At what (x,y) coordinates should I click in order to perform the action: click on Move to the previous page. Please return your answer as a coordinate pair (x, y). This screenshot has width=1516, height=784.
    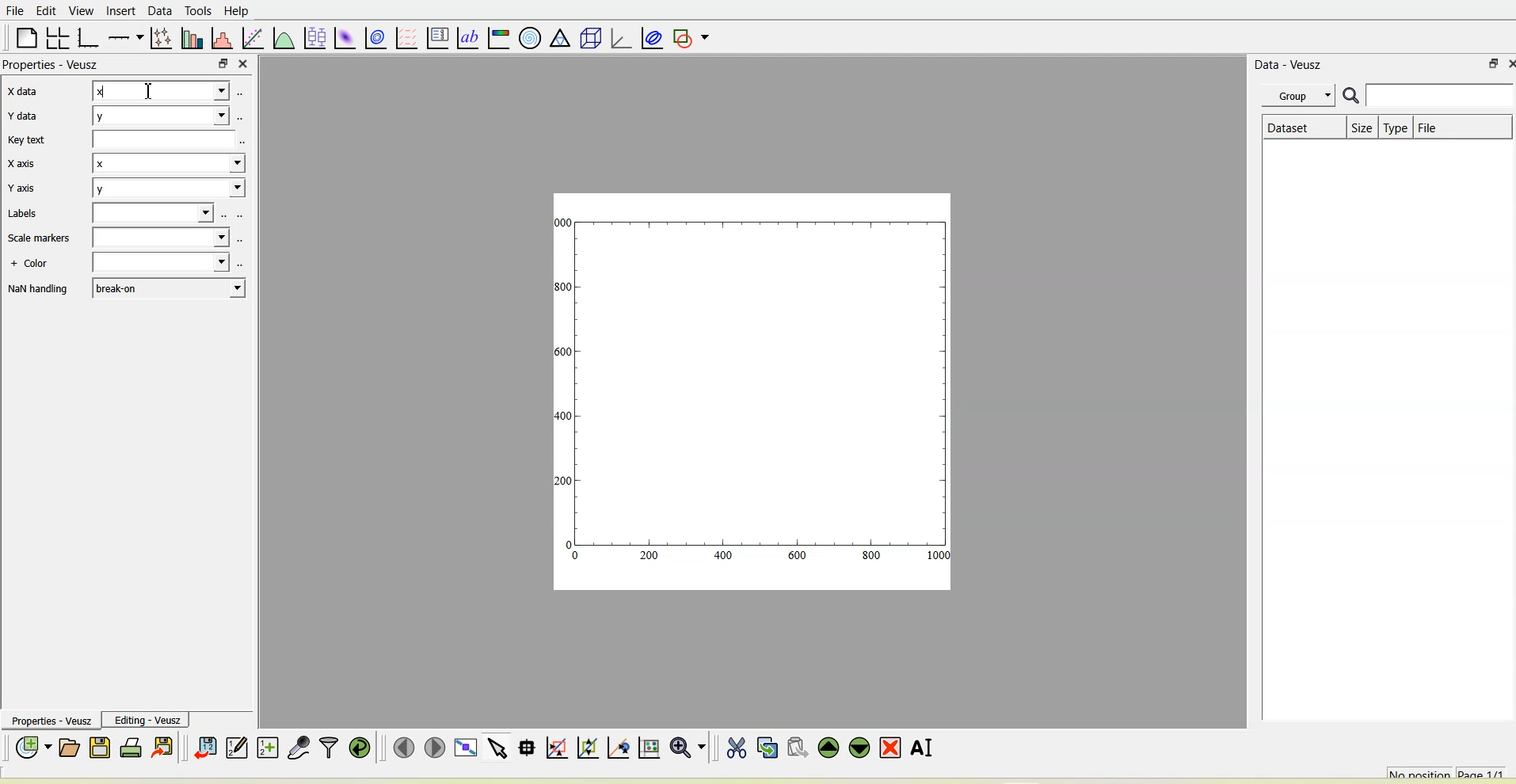
    Looking at the image, I should click on (403, 747).